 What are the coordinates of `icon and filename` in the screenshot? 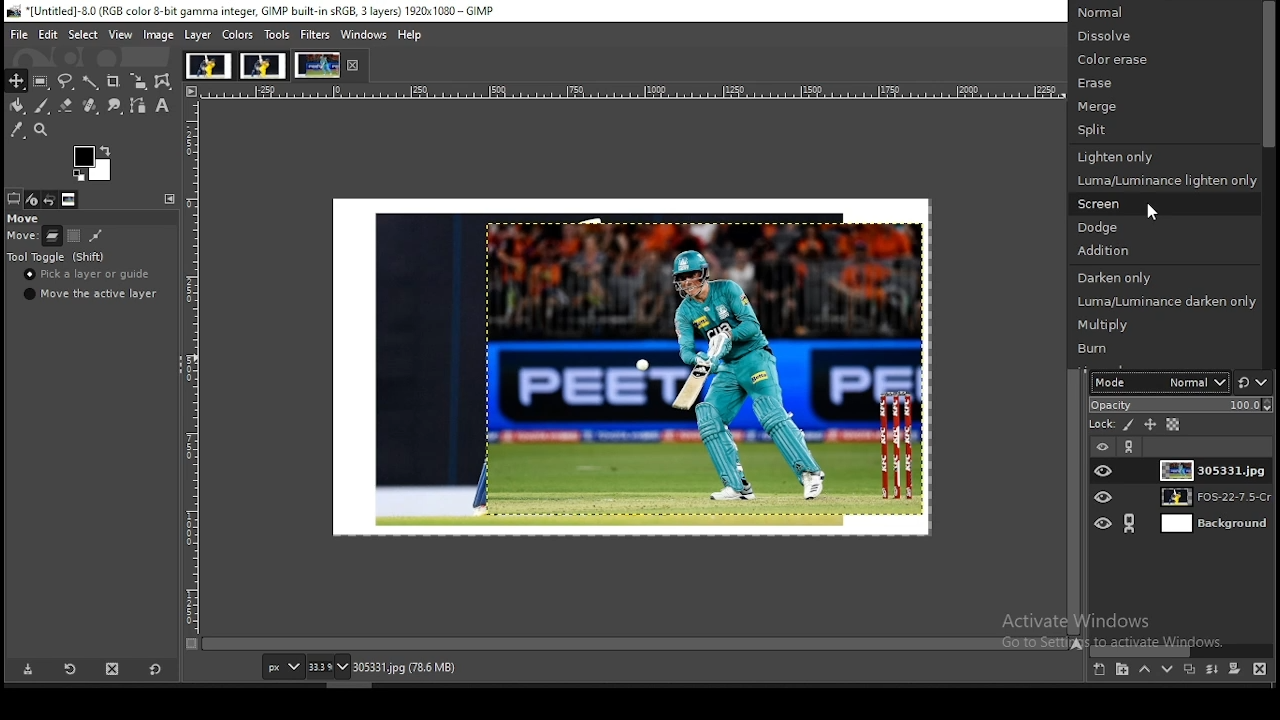 It's located at (254, 10).